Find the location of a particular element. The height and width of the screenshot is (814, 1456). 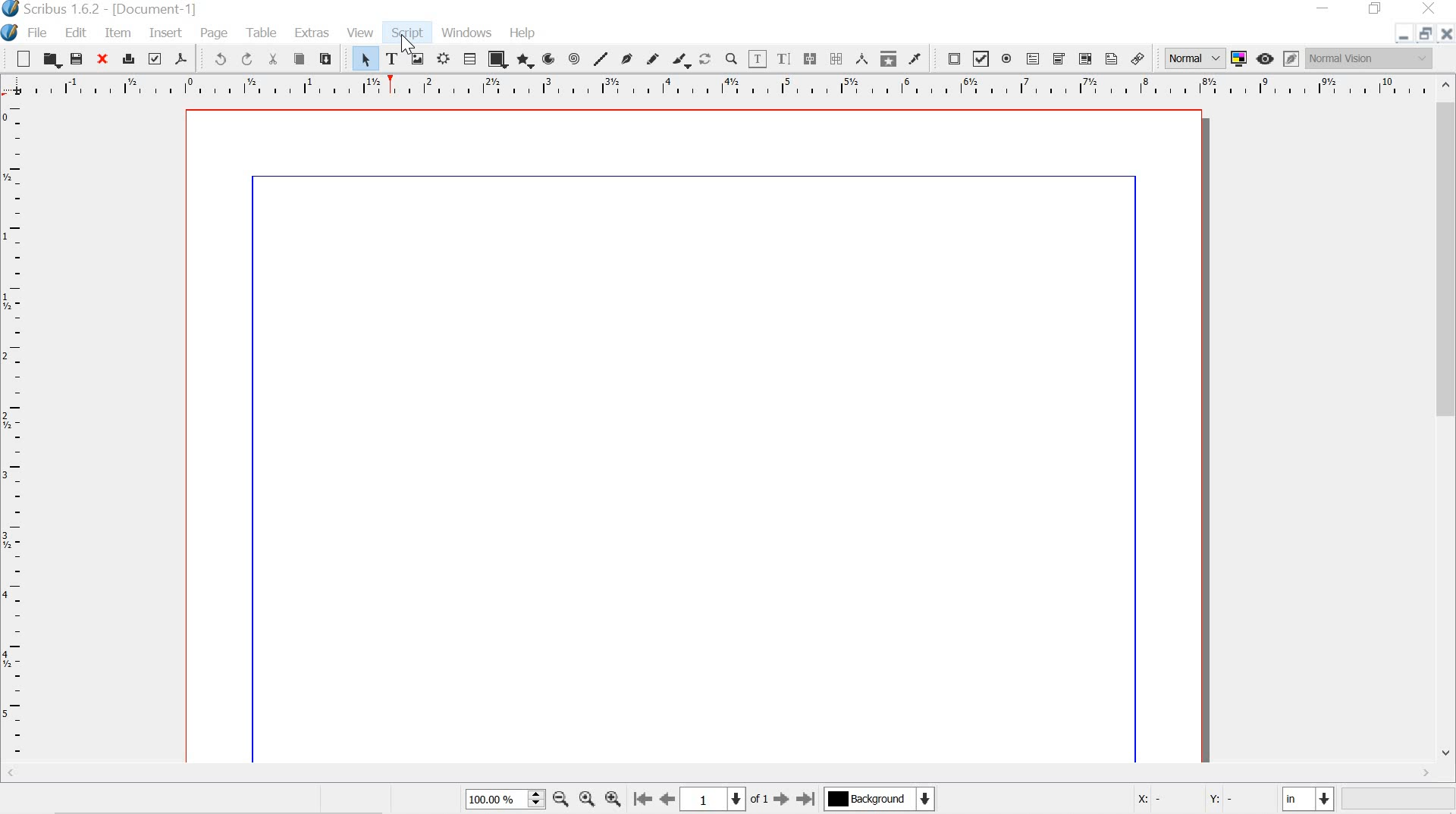

arc is located at coordinates (551, 58).